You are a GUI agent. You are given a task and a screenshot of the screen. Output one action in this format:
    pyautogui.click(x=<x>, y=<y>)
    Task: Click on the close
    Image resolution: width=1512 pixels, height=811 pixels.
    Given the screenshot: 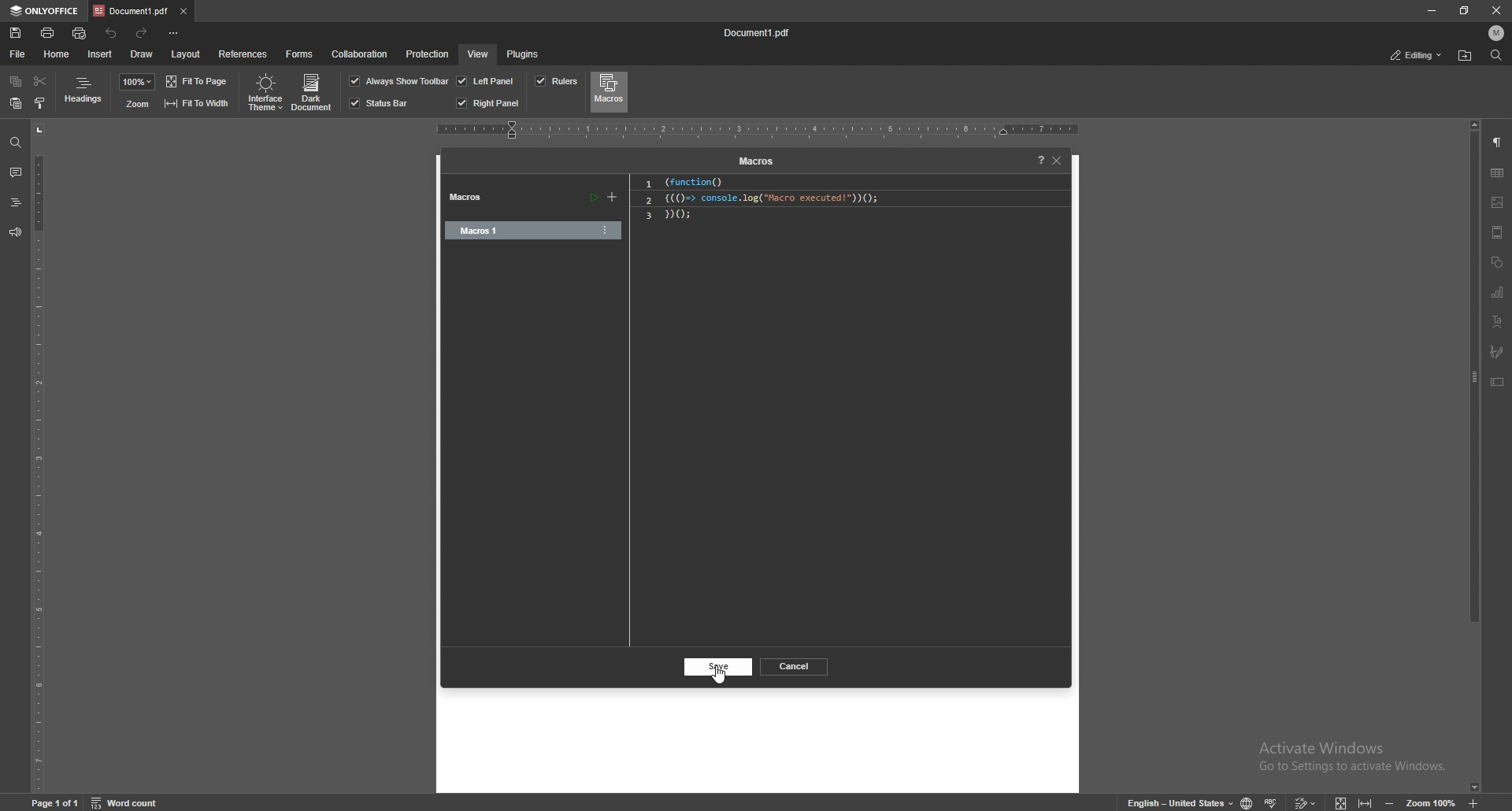 What is the action you would take?
    pyautogui.click(x=1058, y=161)
    